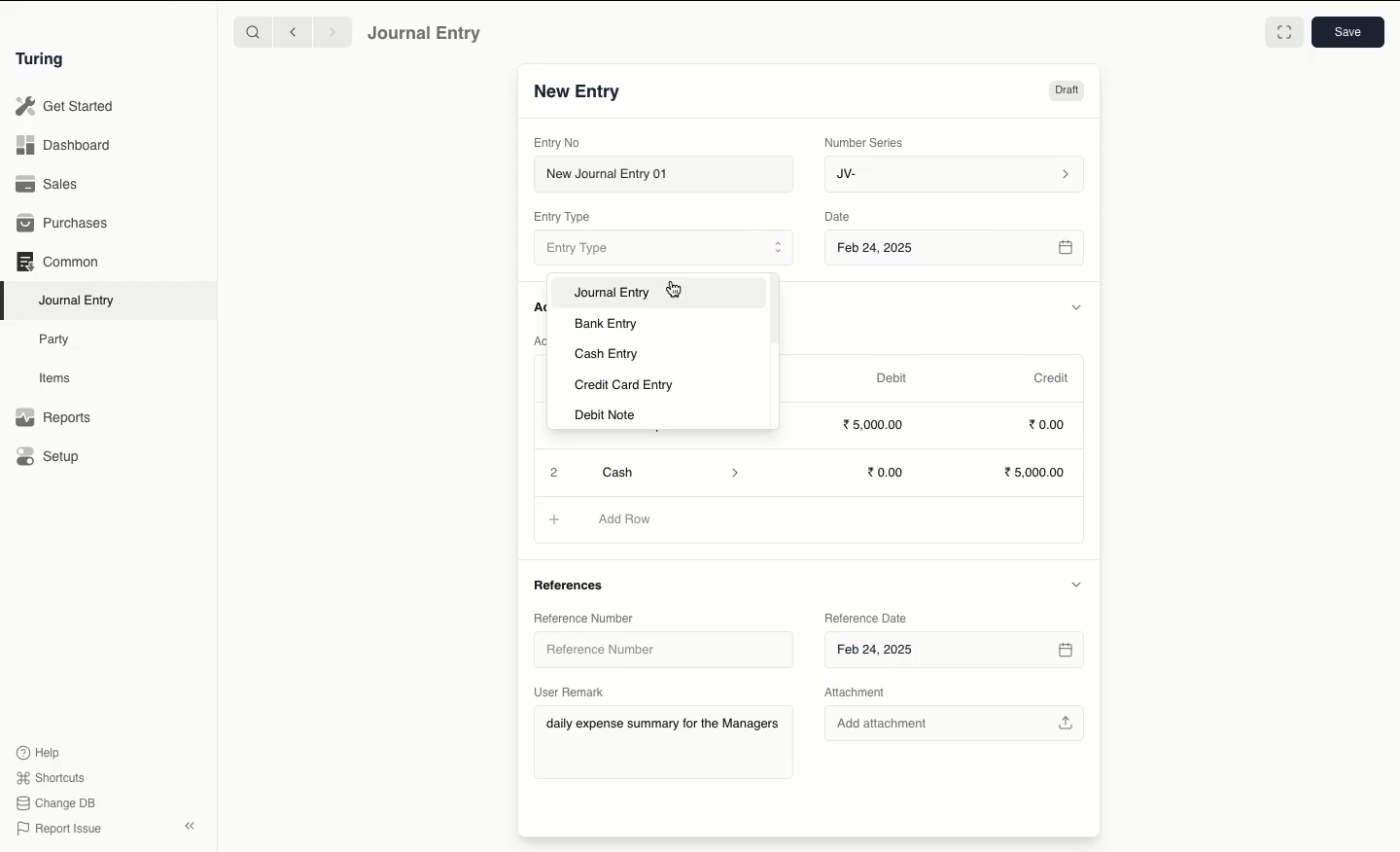 Image resolution: width=1400 pixels, height=852 pixels. What do you see at coordinates (53, 417) in the screenshot?
I see `Reports` at bounding box center [53, 417].